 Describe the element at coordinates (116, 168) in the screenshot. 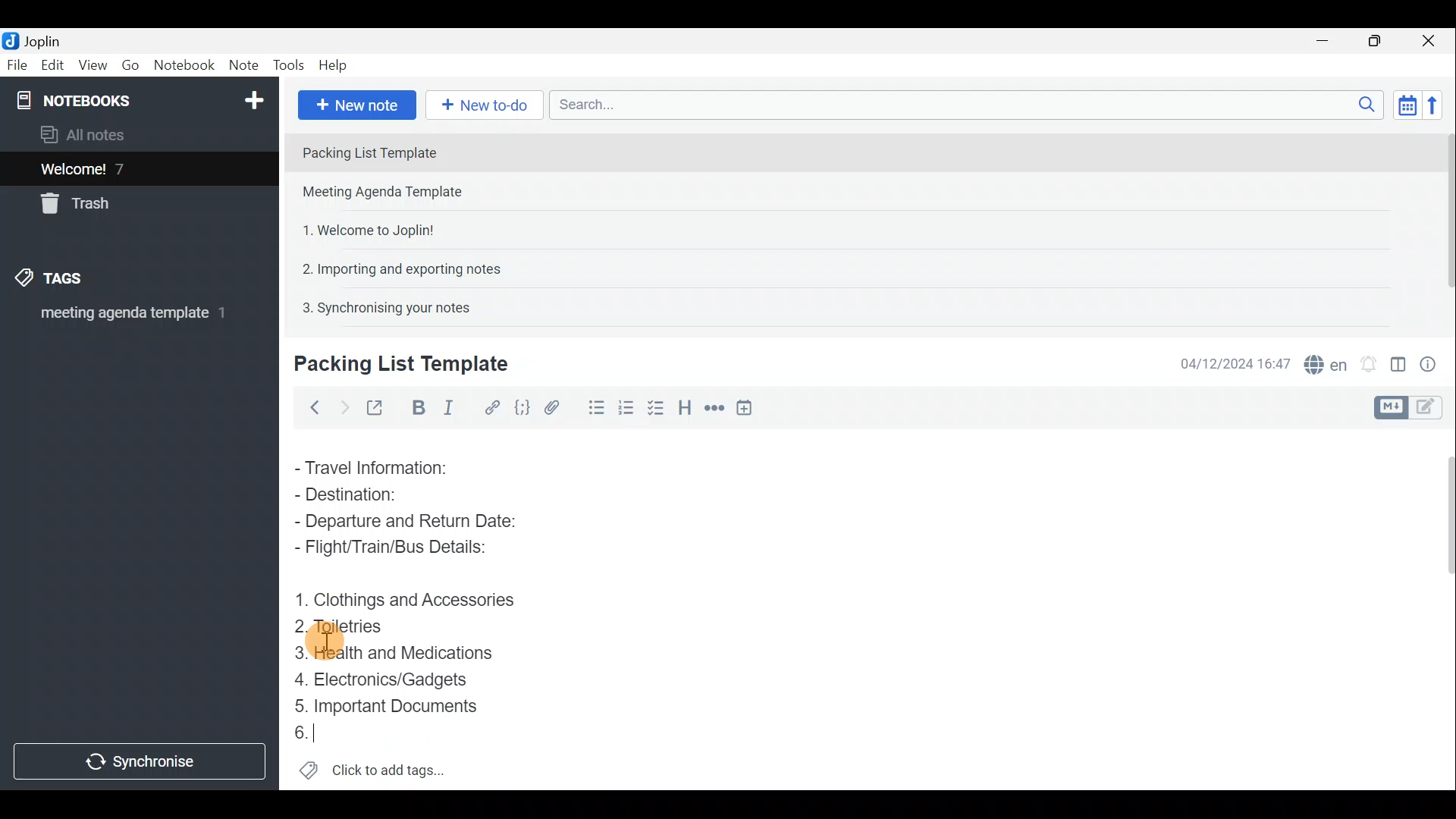

I see `Welcome` at that location.